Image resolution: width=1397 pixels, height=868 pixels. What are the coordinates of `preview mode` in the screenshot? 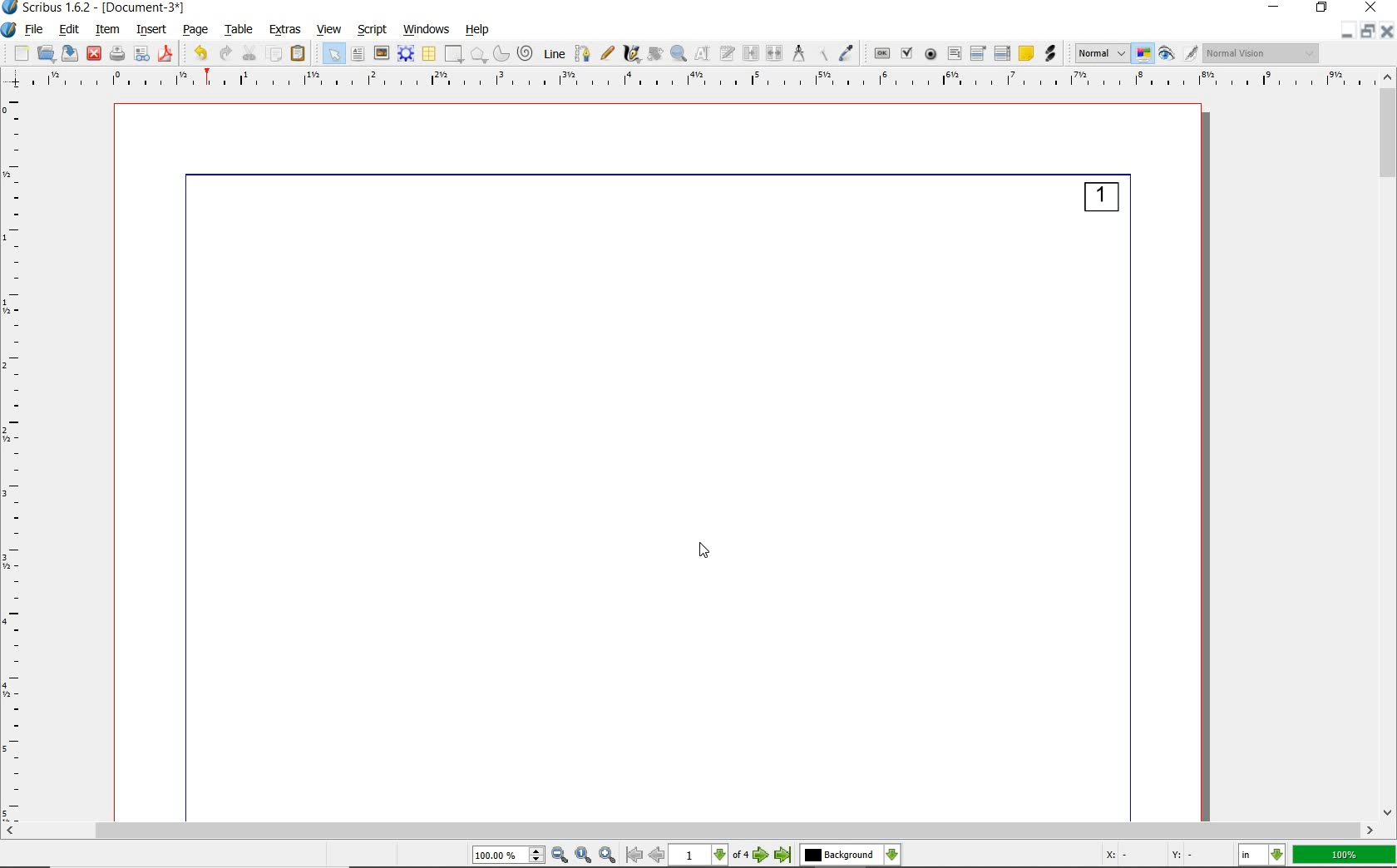 It's located at (1168, 53).